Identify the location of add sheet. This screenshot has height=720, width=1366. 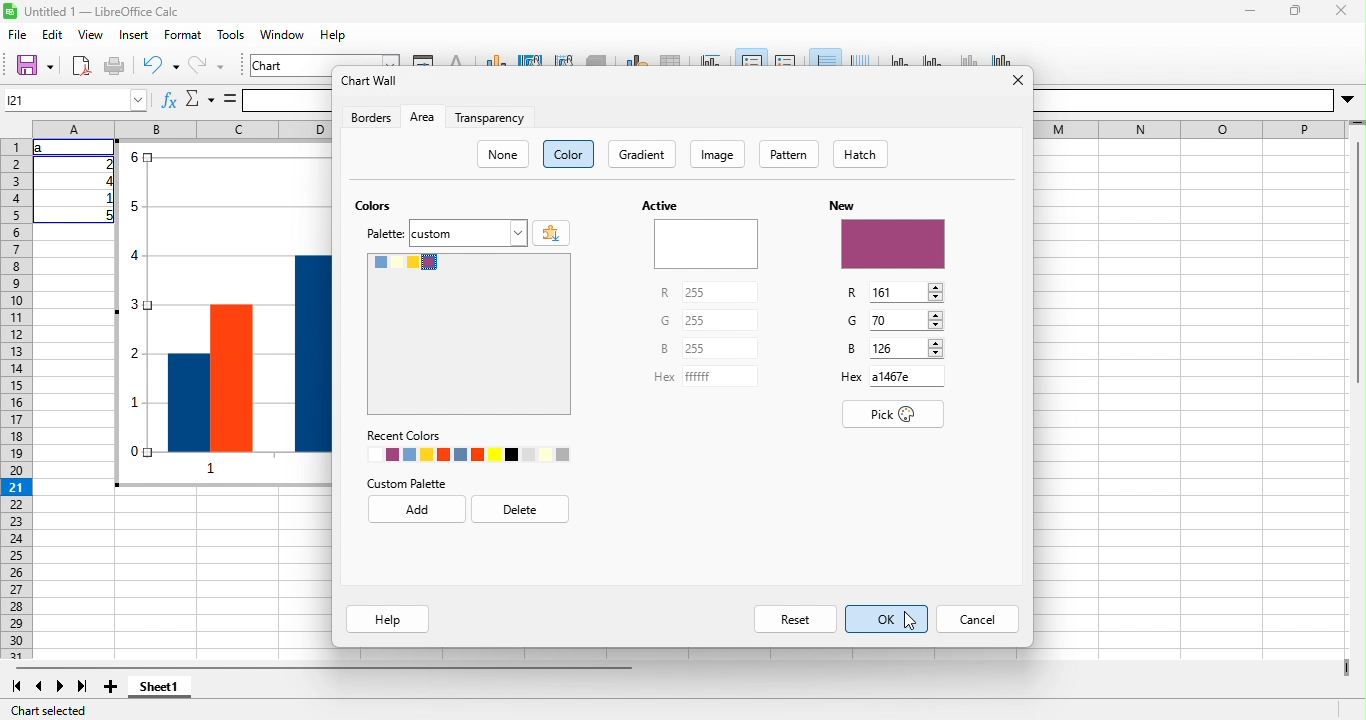
(111, 686).